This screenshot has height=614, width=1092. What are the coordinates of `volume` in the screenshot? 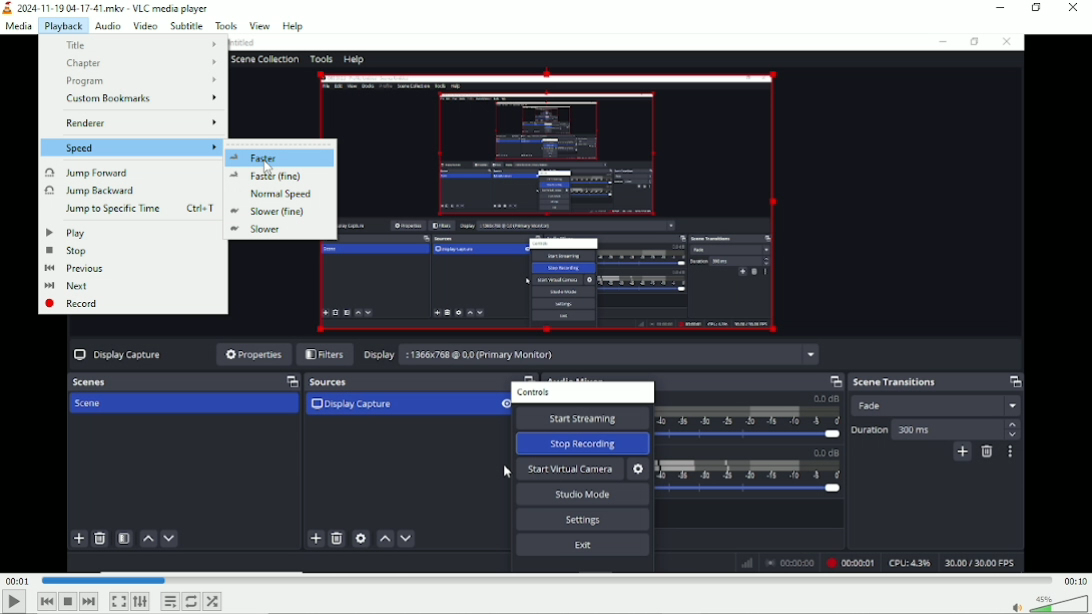 It's located at (1048, 603).